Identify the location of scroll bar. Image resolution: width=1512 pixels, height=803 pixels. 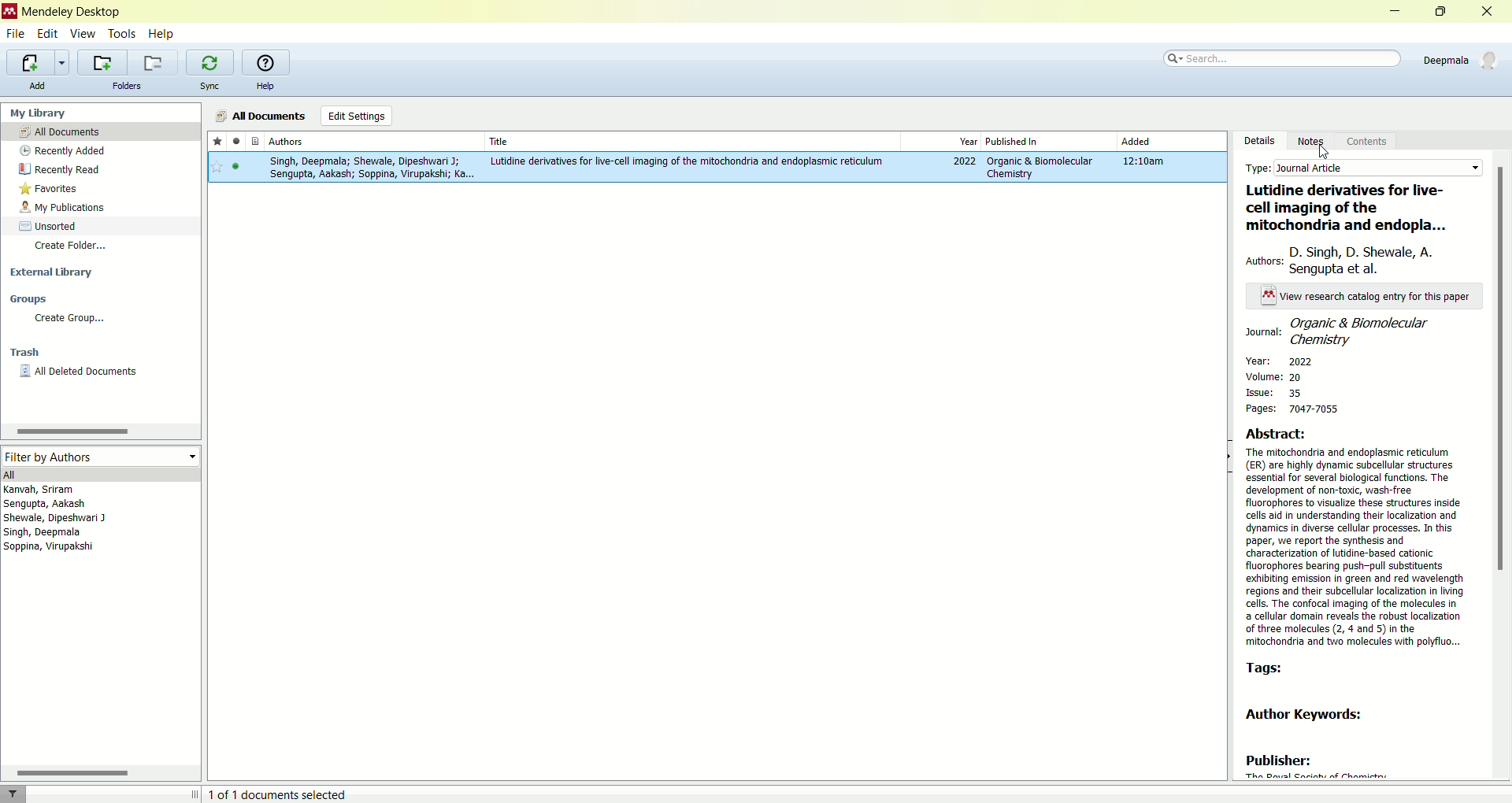
(98, 772).